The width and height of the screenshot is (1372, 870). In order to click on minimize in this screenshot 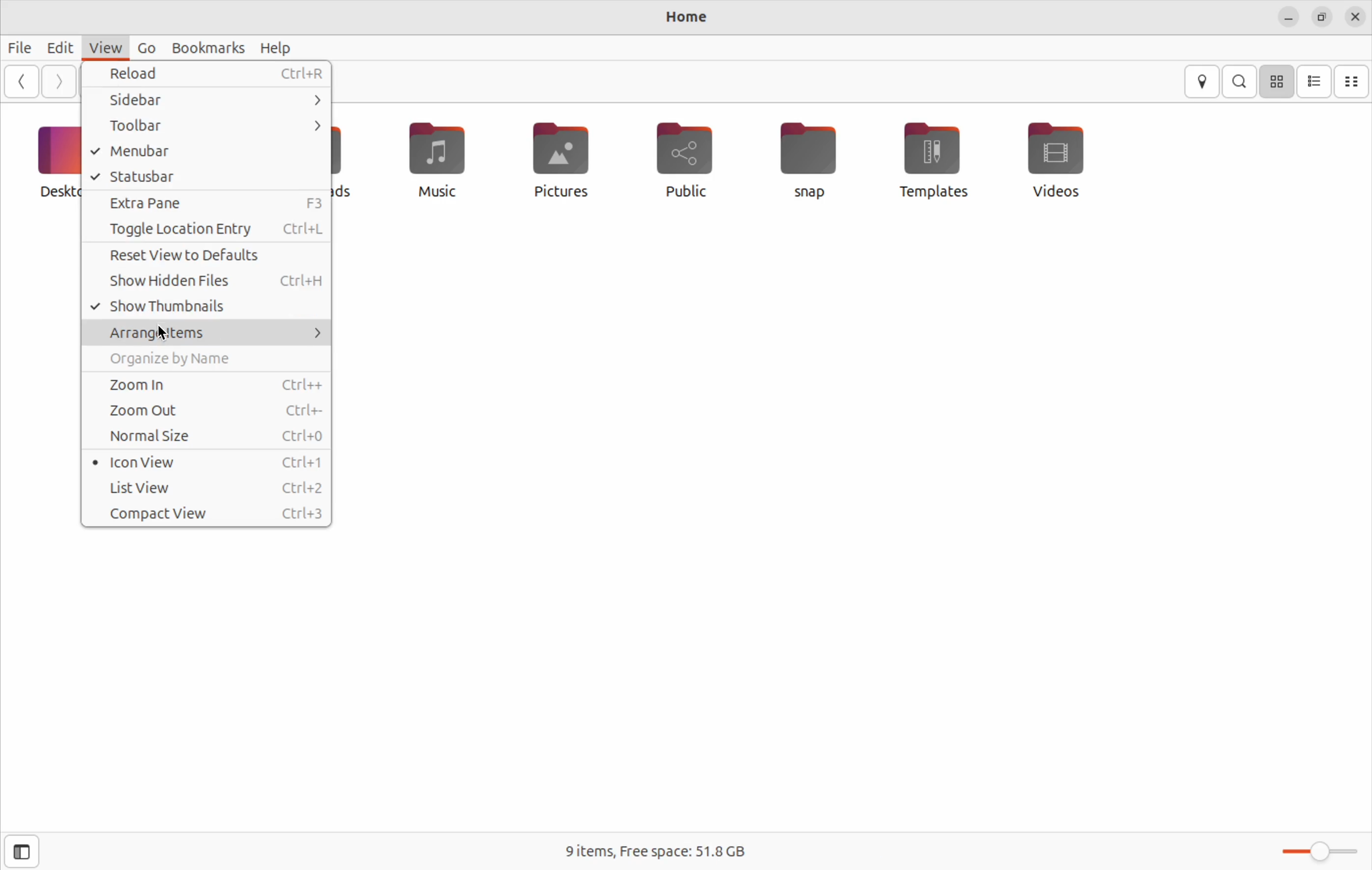, I will do `click(1288, 18)`.